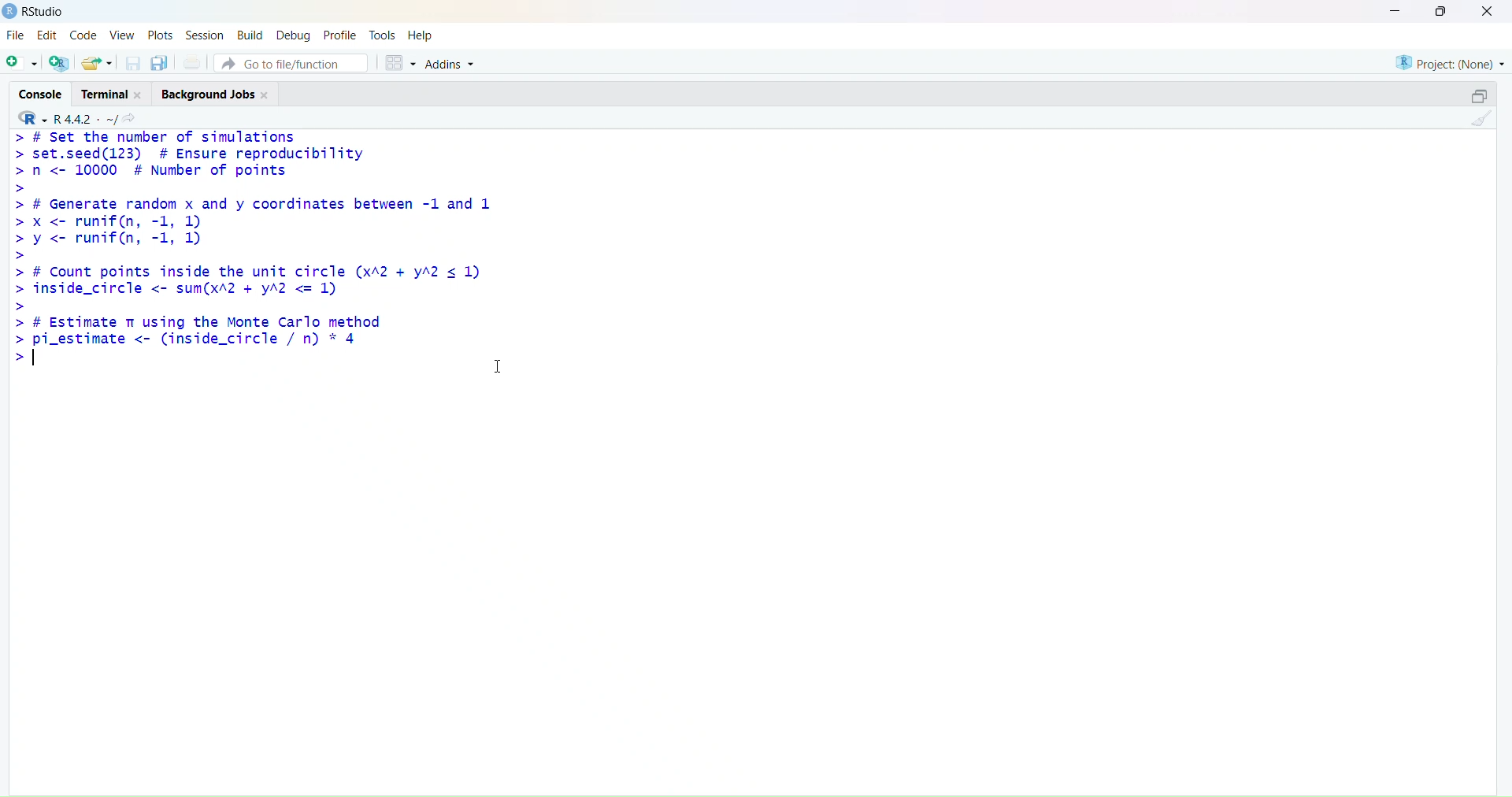 The image size is (1512, 797). I want to click on Code, so click(83, 35).